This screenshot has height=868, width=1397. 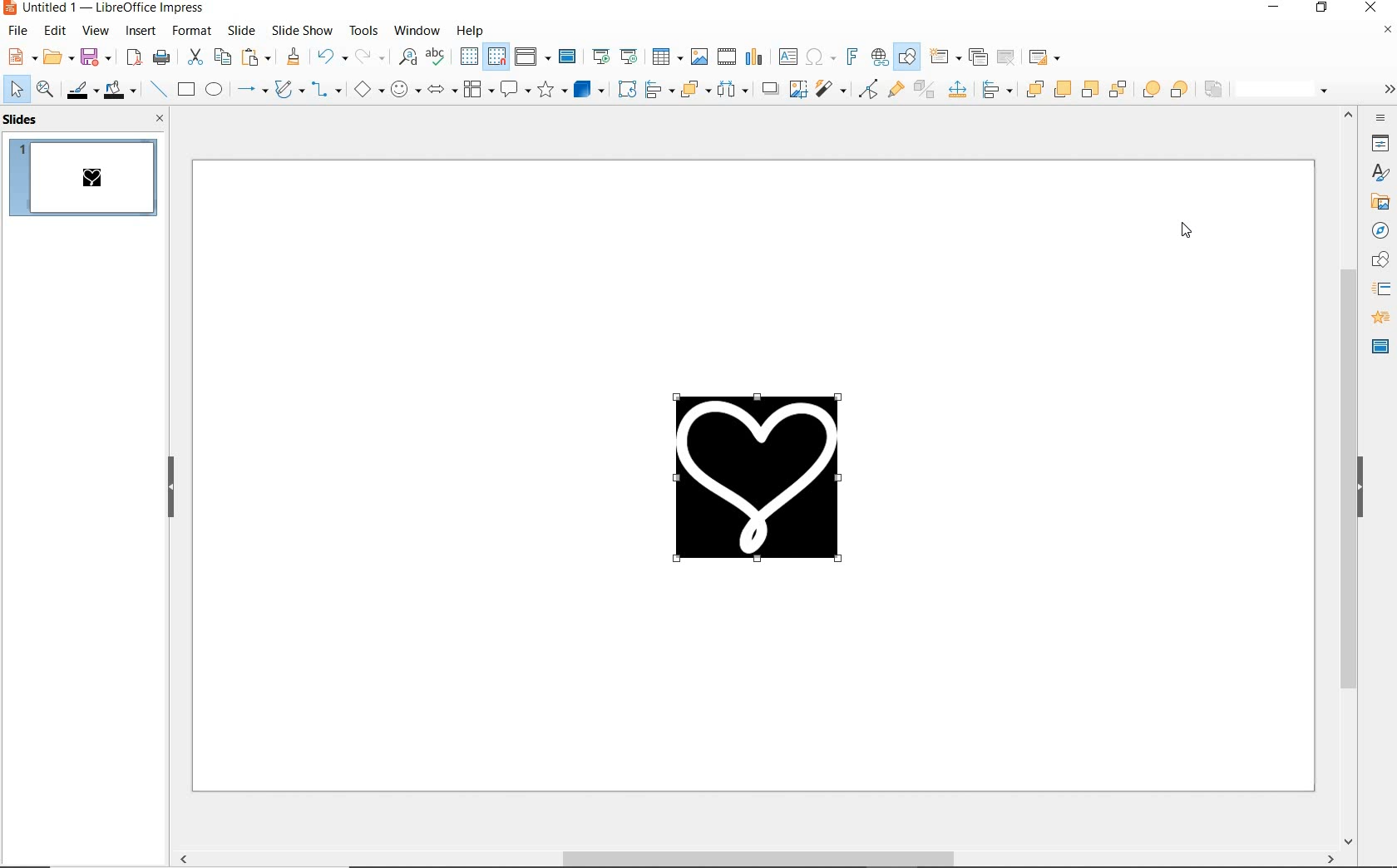 I want to click on paste, so click(x=254, y=58).